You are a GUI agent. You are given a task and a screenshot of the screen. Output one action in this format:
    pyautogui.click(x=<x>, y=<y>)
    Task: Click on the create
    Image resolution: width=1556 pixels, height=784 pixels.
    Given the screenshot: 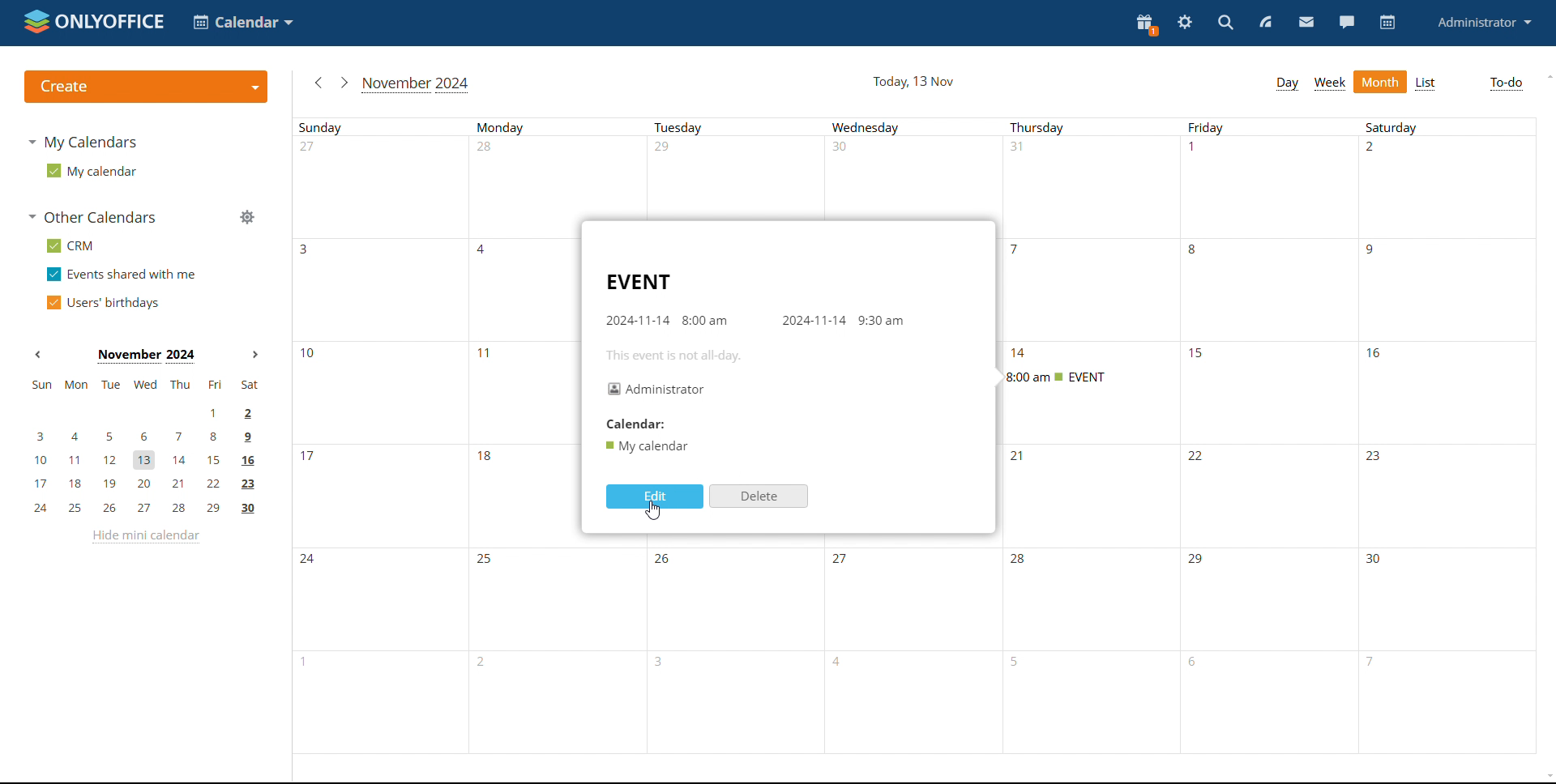 What is the action you would take?
    pyautogui.click(x=144, y=87)
    